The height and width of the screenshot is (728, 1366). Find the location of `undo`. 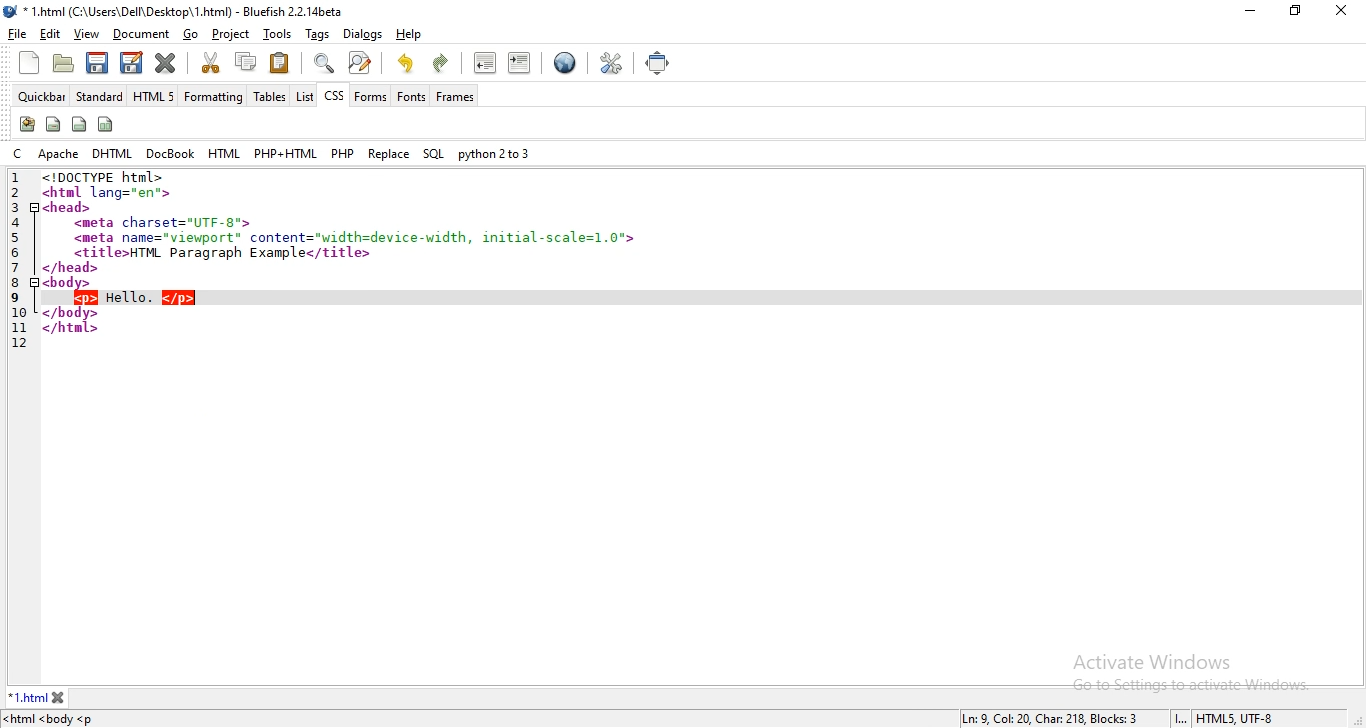

undo is located at coordinates (405, 61).